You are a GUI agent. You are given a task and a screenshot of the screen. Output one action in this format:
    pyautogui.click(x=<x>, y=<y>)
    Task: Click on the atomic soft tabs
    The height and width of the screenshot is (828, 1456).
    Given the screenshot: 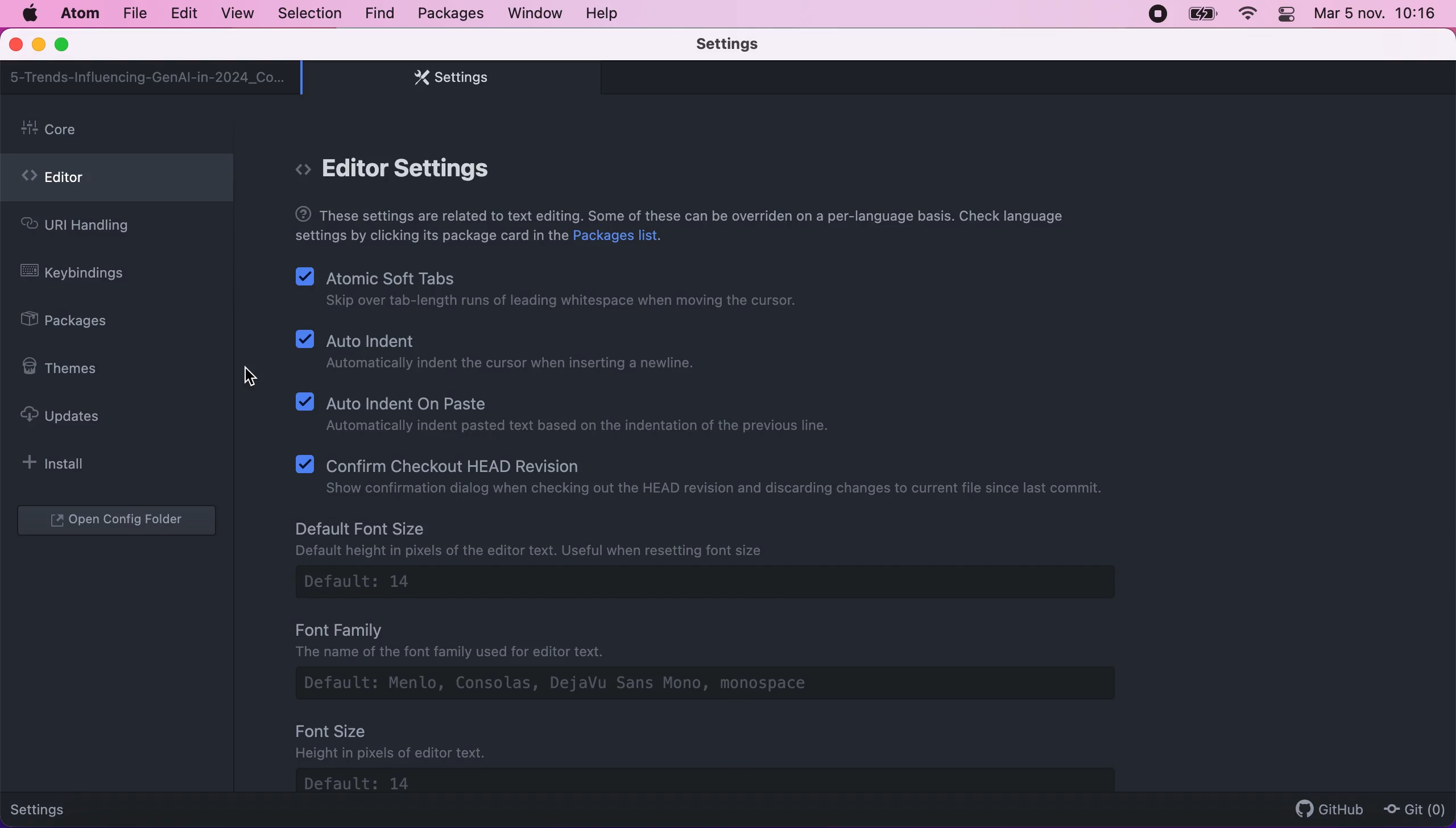 What is the action you would take?
    pyautogui.click(x=551, y=291)
    